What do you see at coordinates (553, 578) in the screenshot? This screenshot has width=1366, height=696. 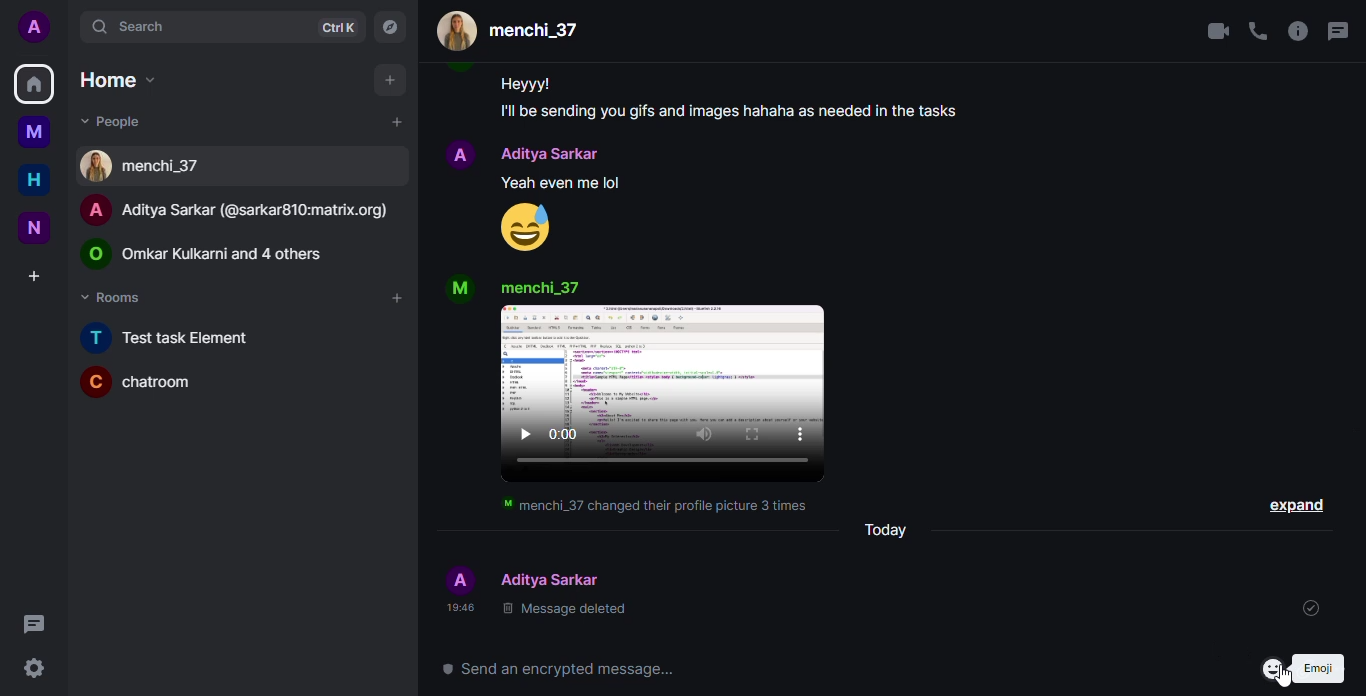 I see `people` at bounding box center [553, 578].